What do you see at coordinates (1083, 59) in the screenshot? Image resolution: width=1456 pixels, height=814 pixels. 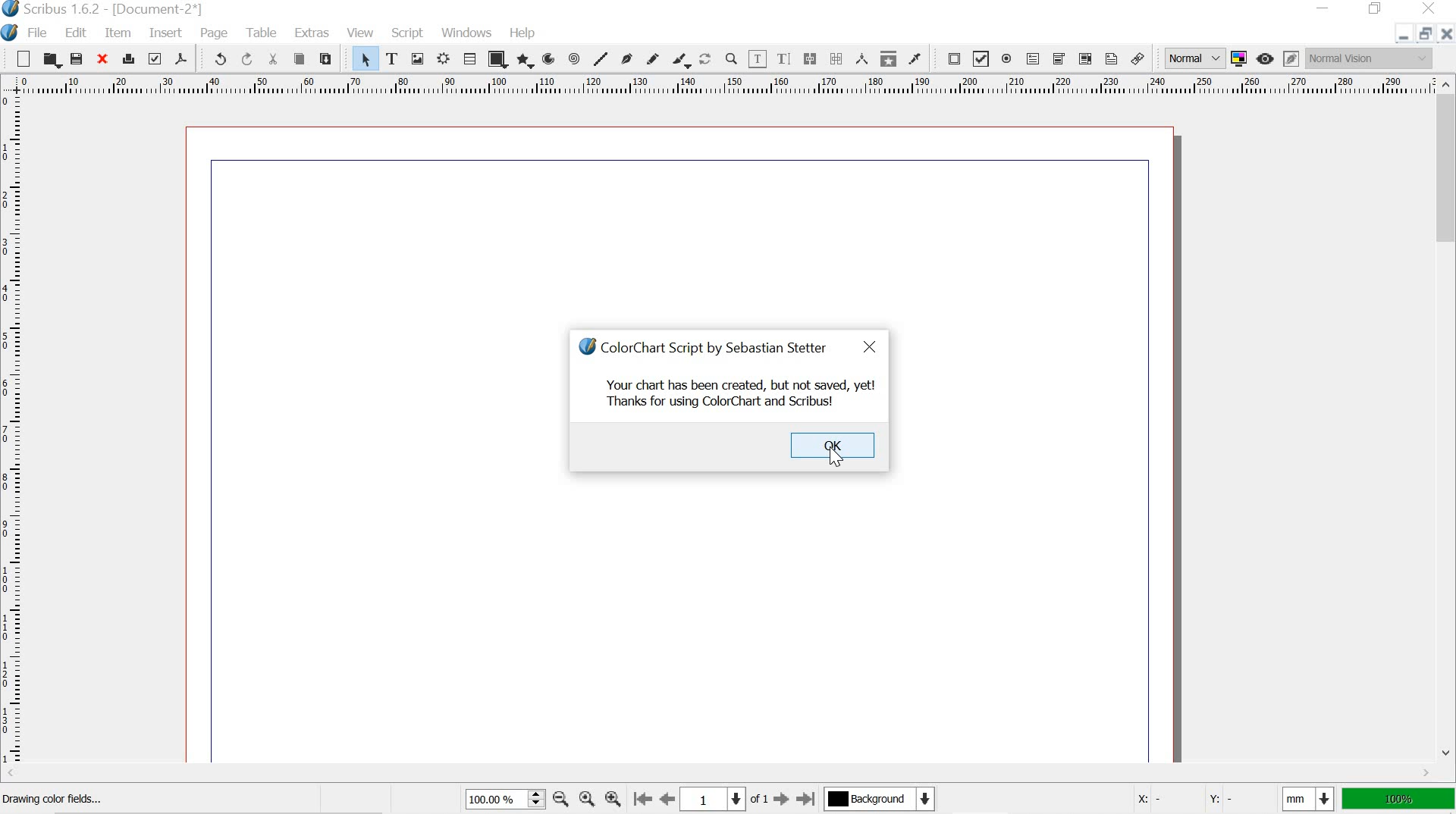 I see `pdf list box` at bounding box center [1083, 59].